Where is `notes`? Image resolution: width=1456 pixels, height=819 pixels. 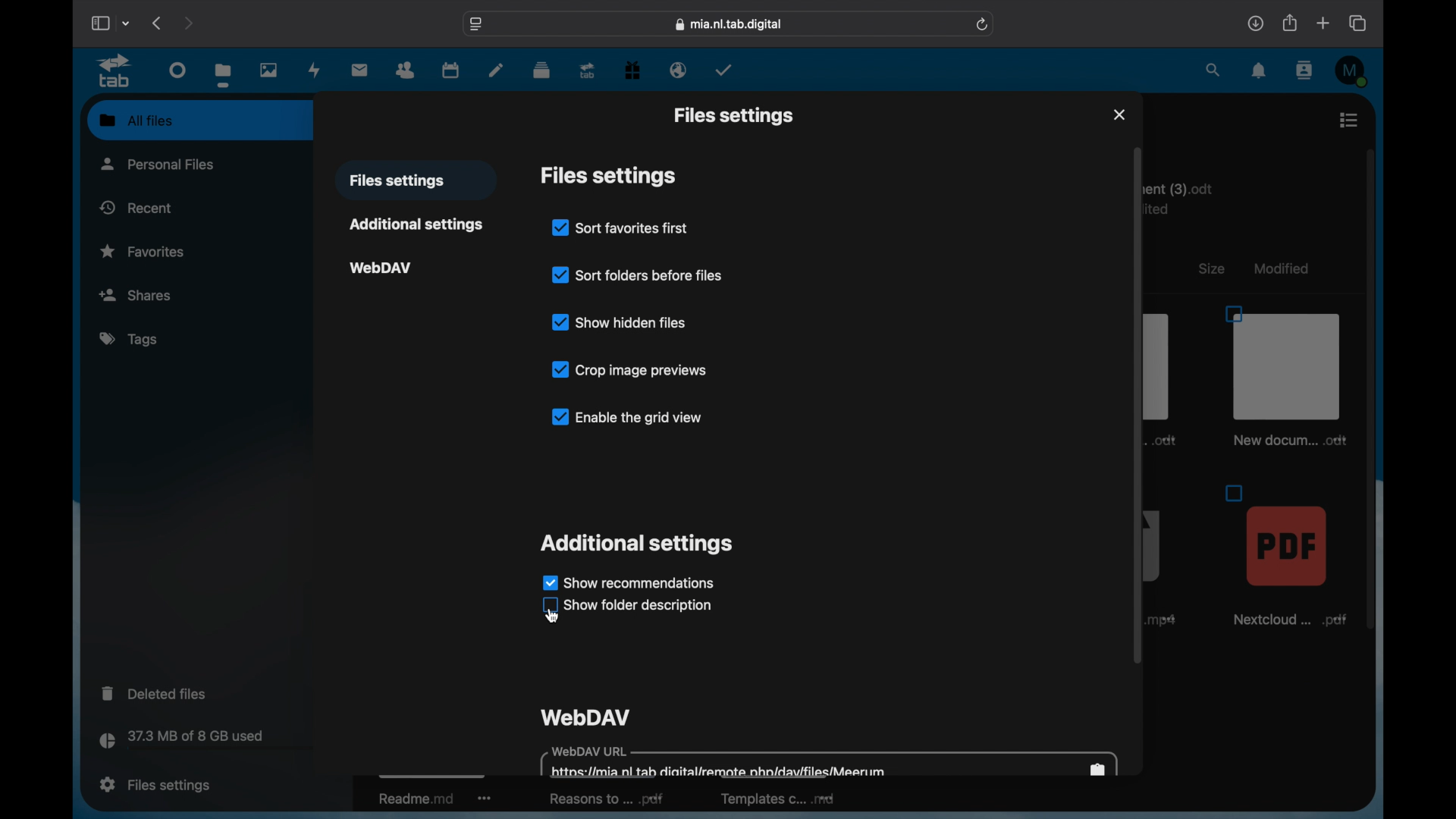 notes is located at coordinates (494, 71).